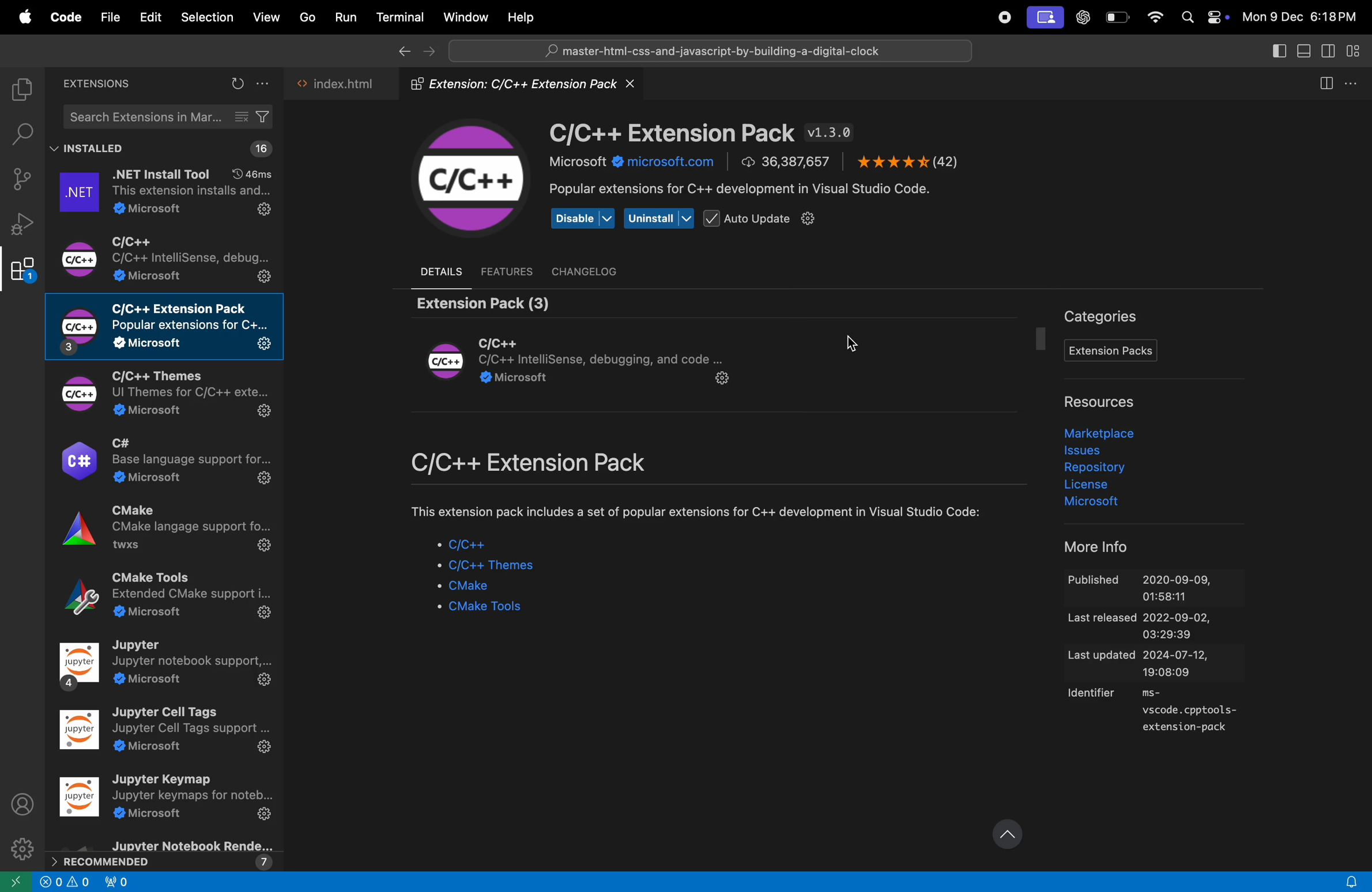 The height and width of the screenshot is (892, 1372). I want to click on reccomended, so click(163, 854).